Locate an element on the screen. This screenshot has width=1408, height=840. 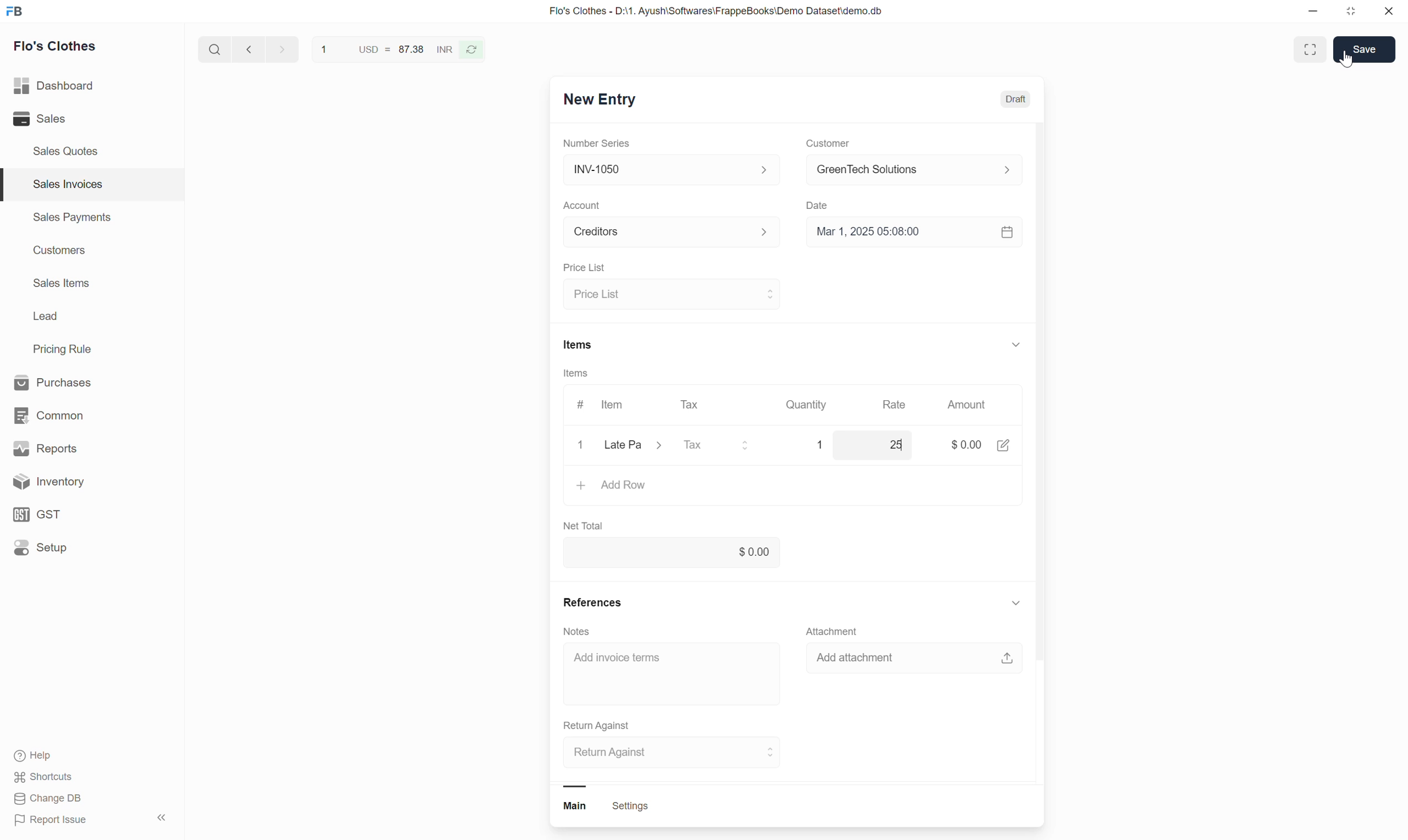
Select Number series is located at coordinates (669, 169).